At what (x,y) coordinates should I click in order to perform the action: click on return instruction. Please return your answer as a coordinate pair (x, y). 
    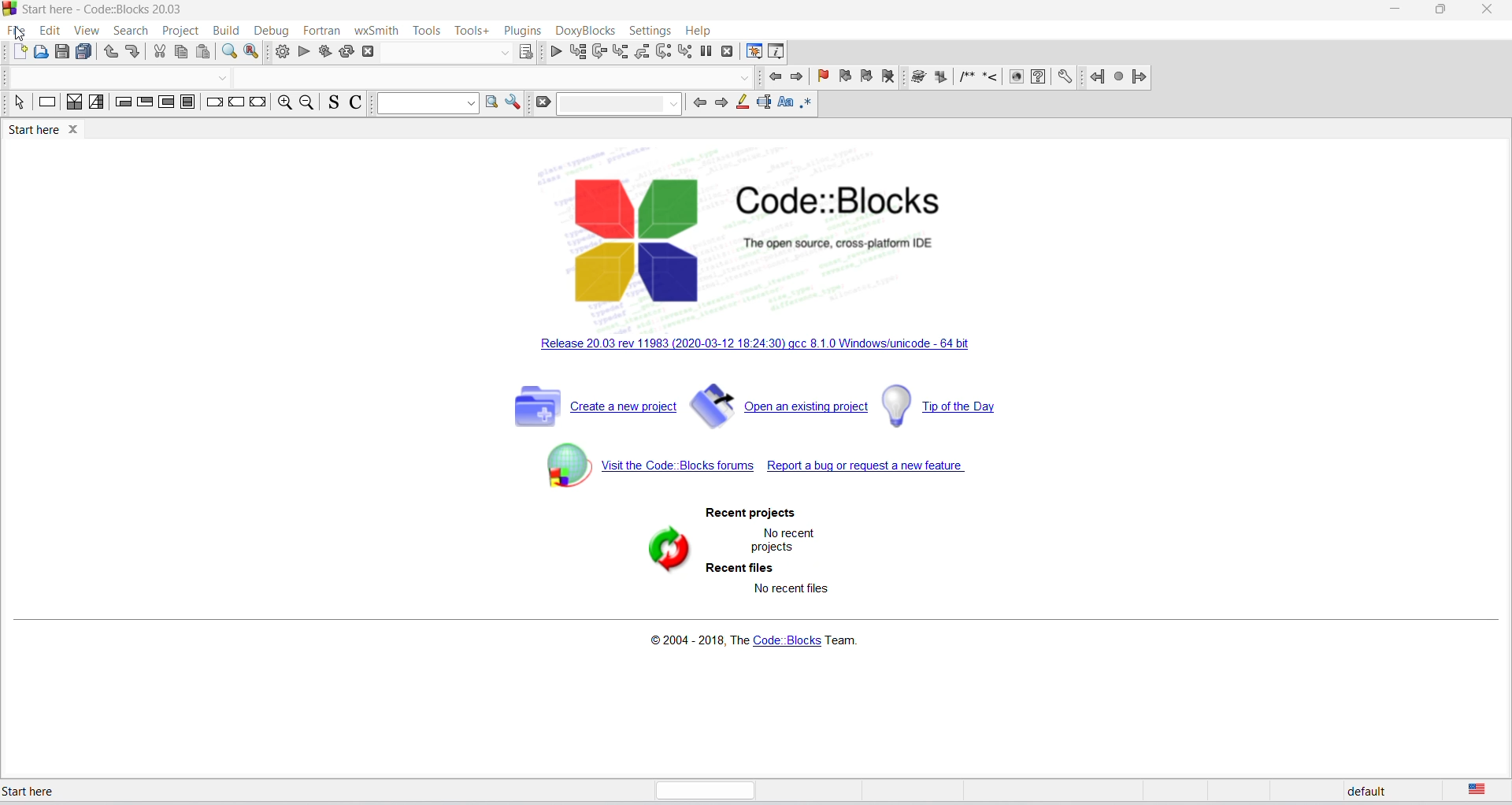
    Looking at the image, I should click on (259, 106).